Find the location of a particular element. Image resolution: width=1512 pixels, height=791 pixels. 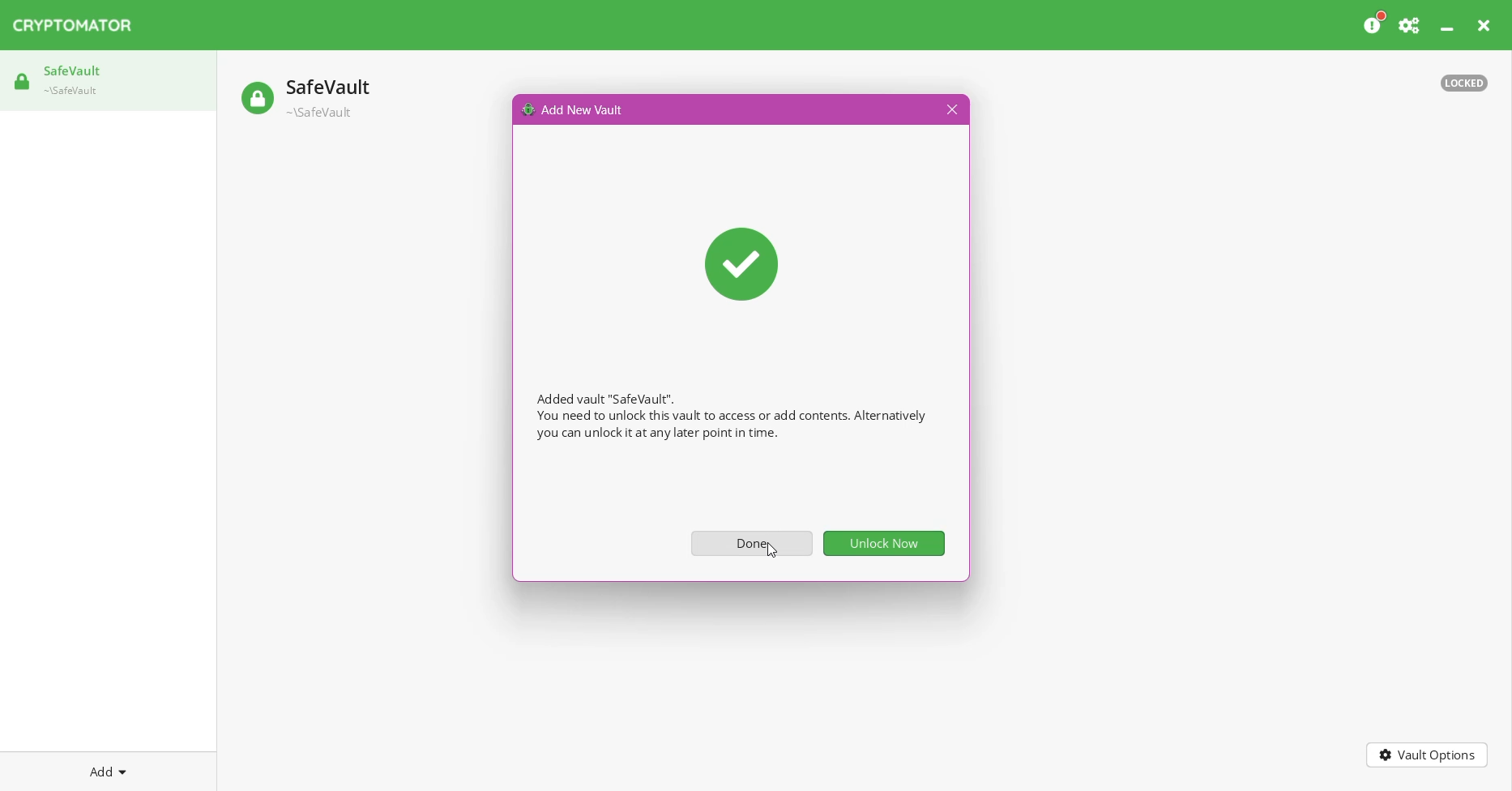

Add New Vault is located at coordinates (574, 109).